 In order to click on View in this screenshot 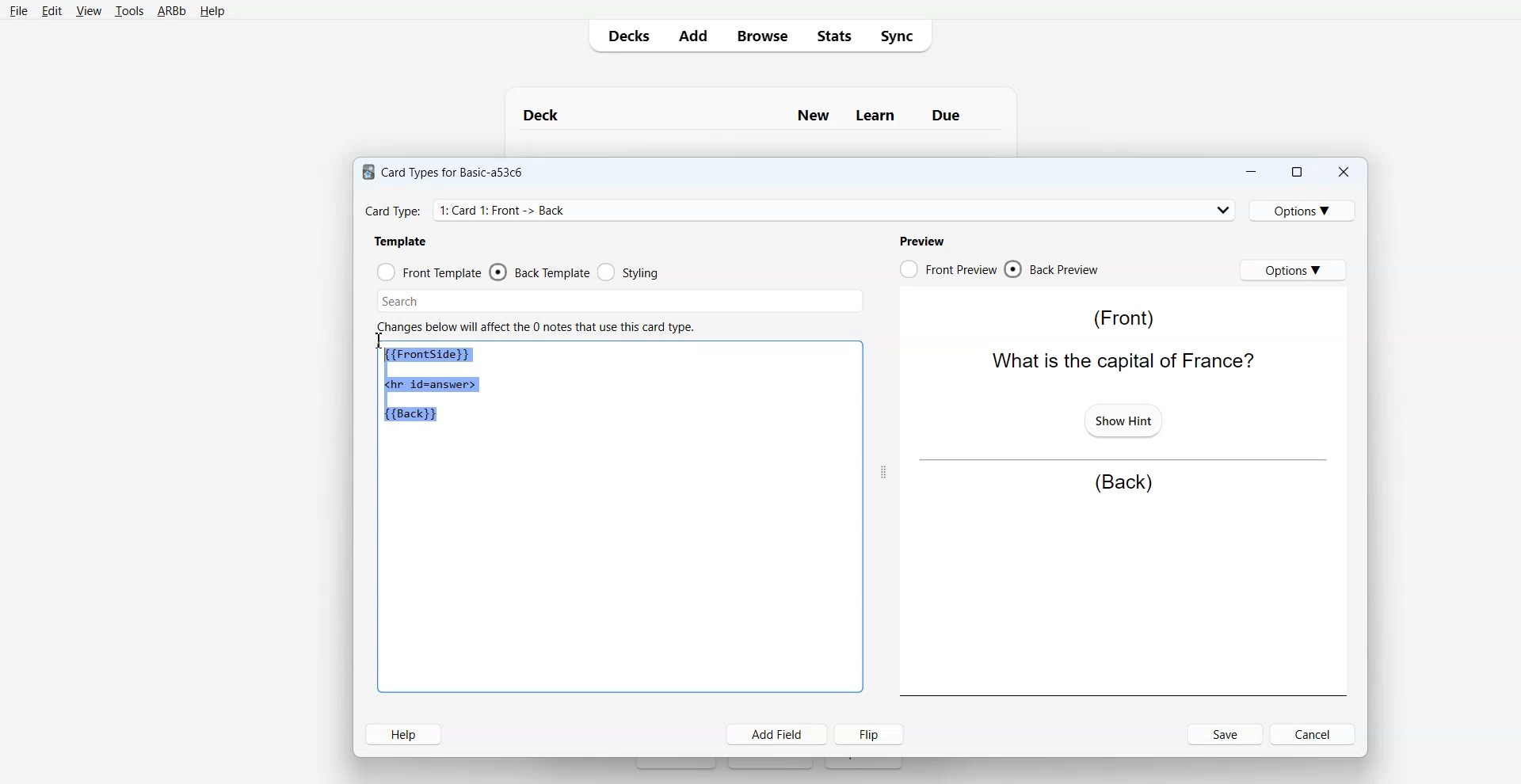, I will do `click(89, 11)`.